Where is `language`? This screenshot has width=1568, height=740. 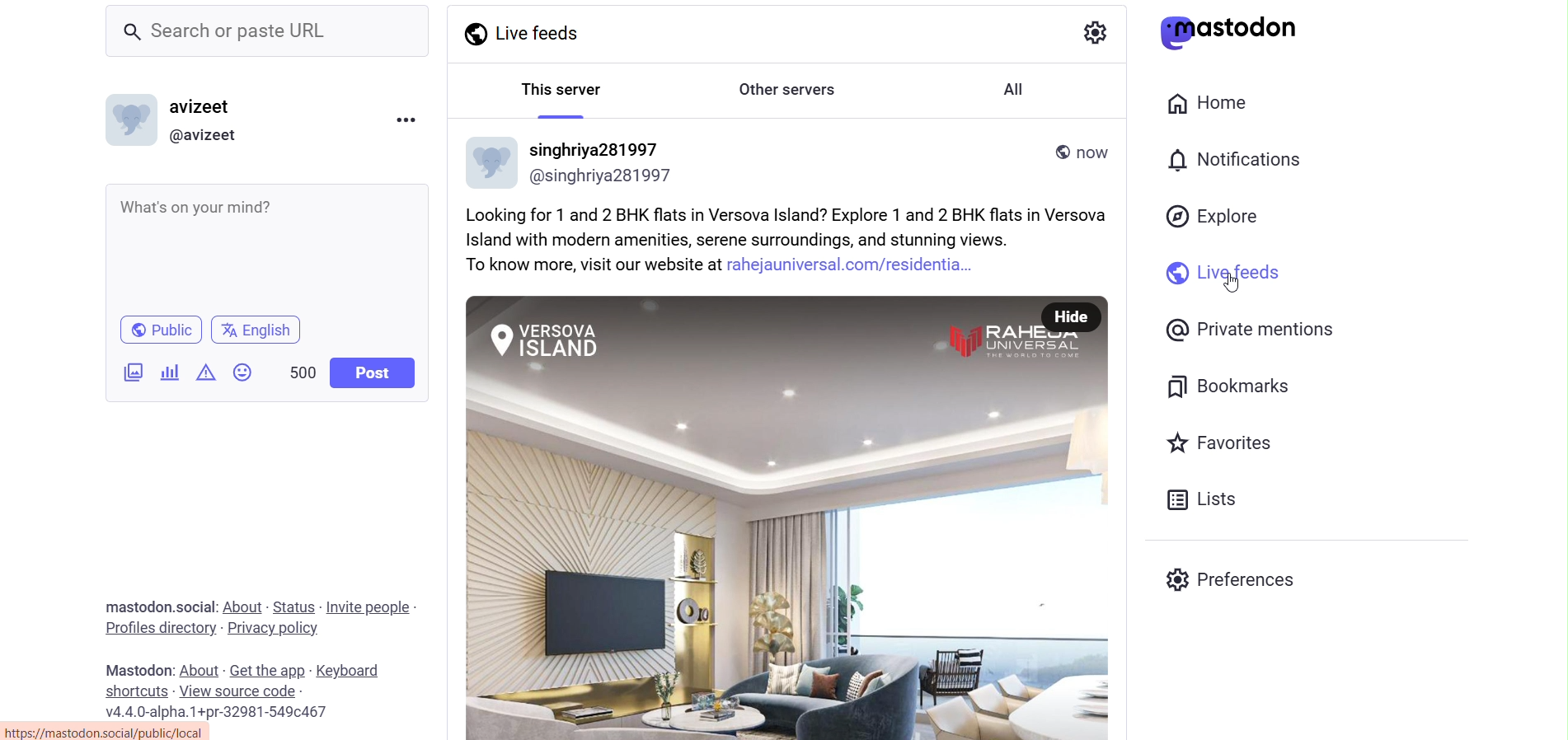
language is located at coordinates (256, 330).